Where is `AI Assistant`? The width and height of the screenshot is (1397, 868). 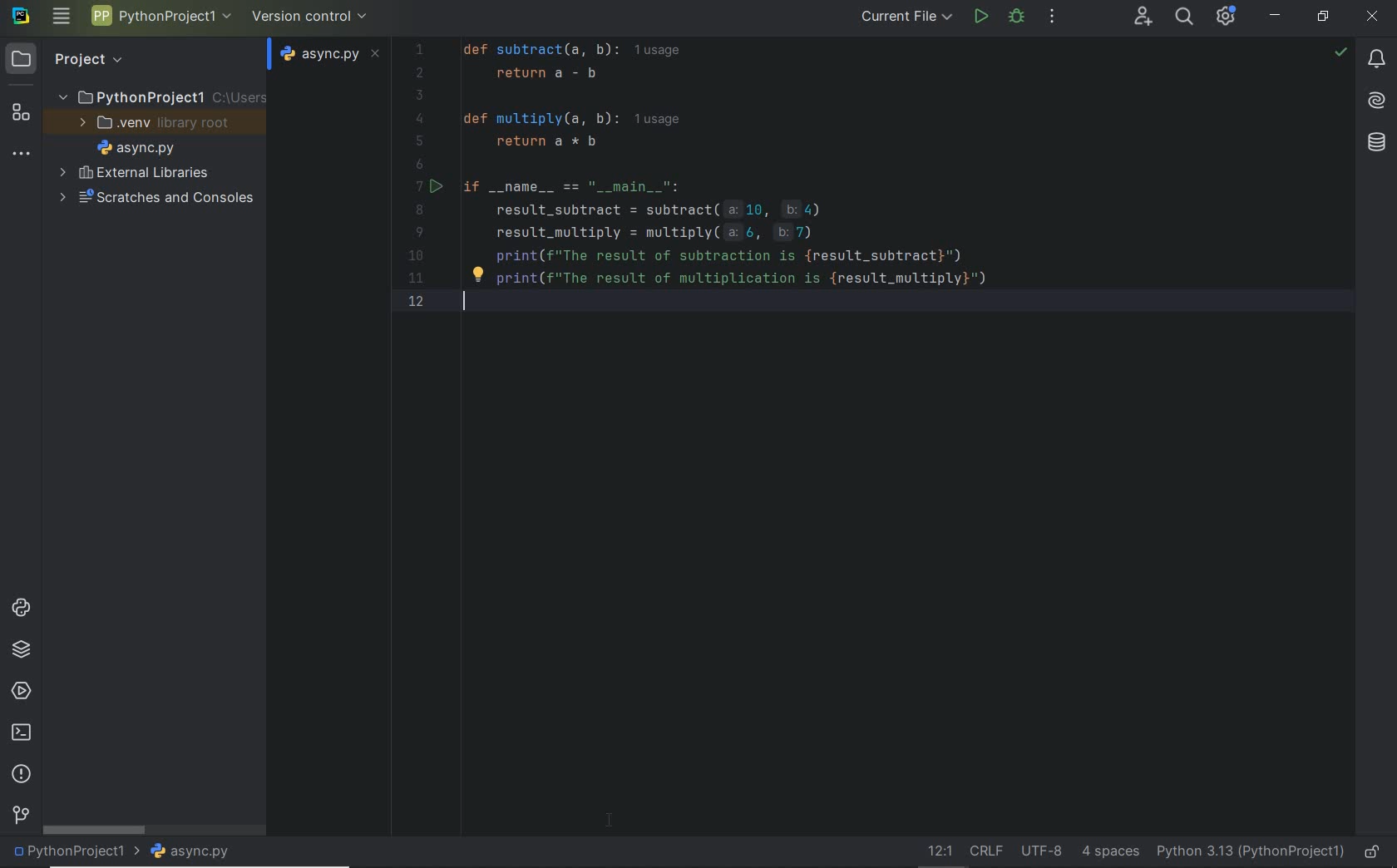
AI Assistant is located at coordinates (1376, 101).